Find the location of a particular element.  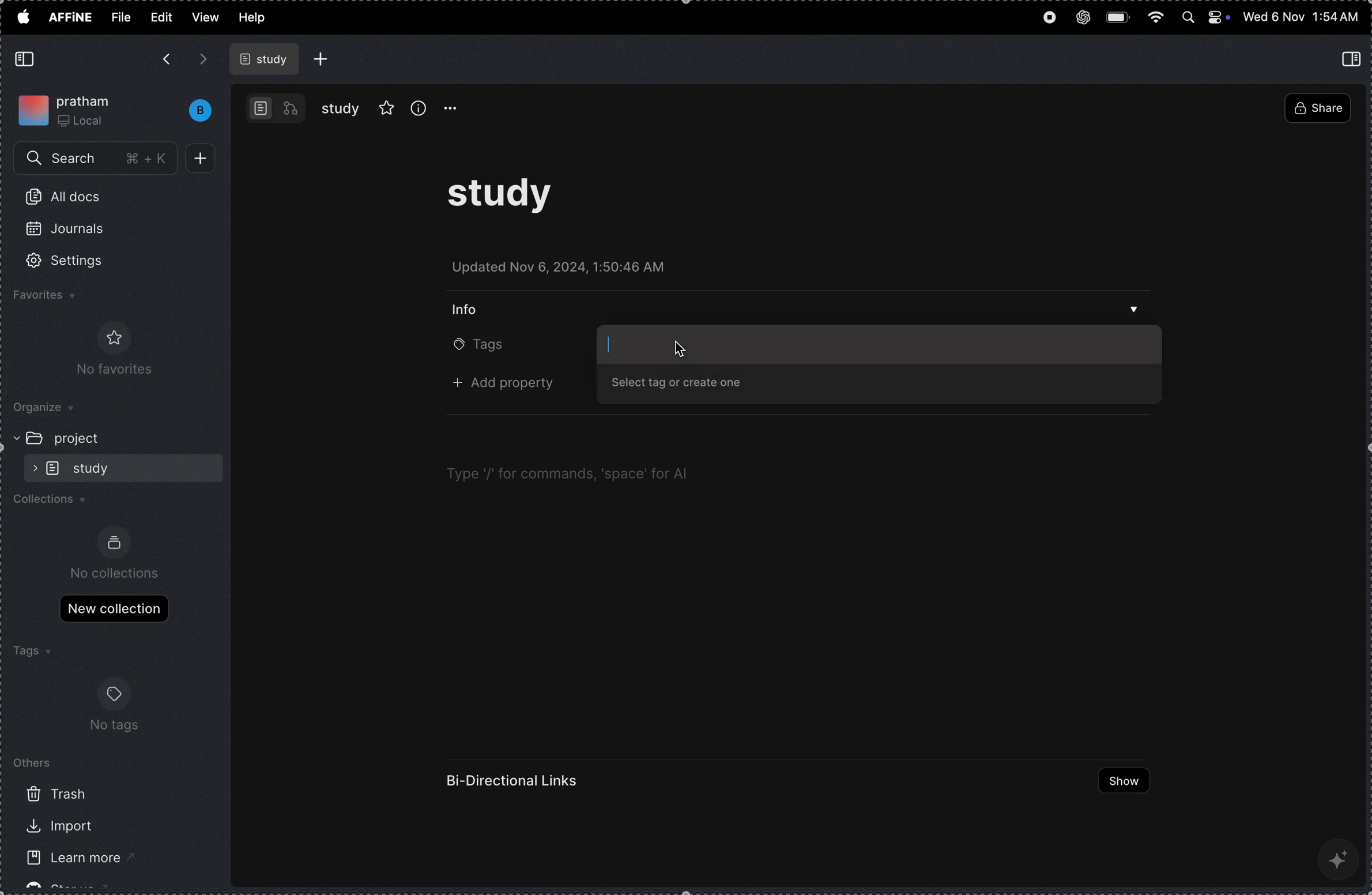

expand/collapse is located at coordinates (31, 468).